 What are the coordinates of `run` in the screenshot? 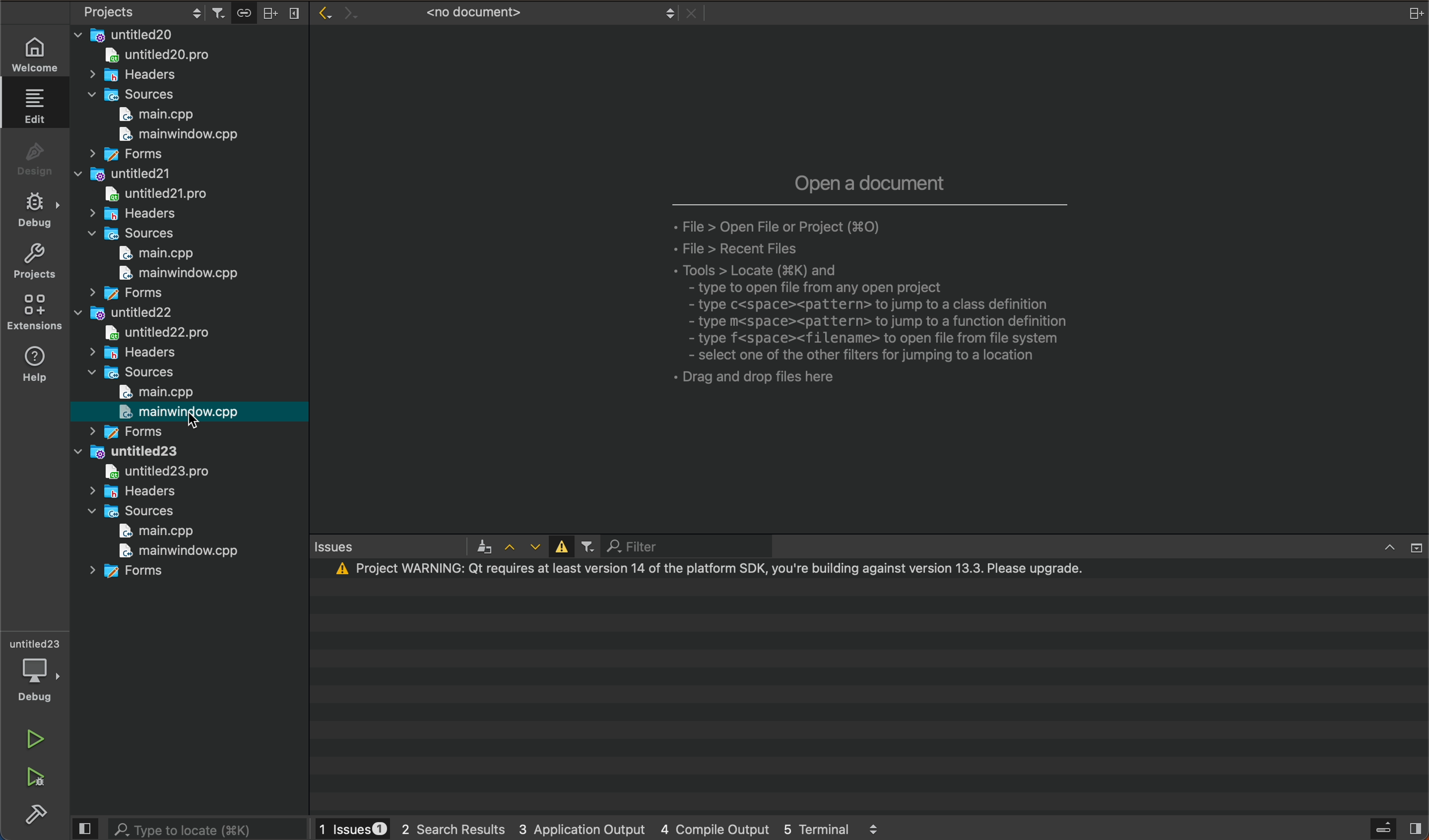 It's located at (35, 736).